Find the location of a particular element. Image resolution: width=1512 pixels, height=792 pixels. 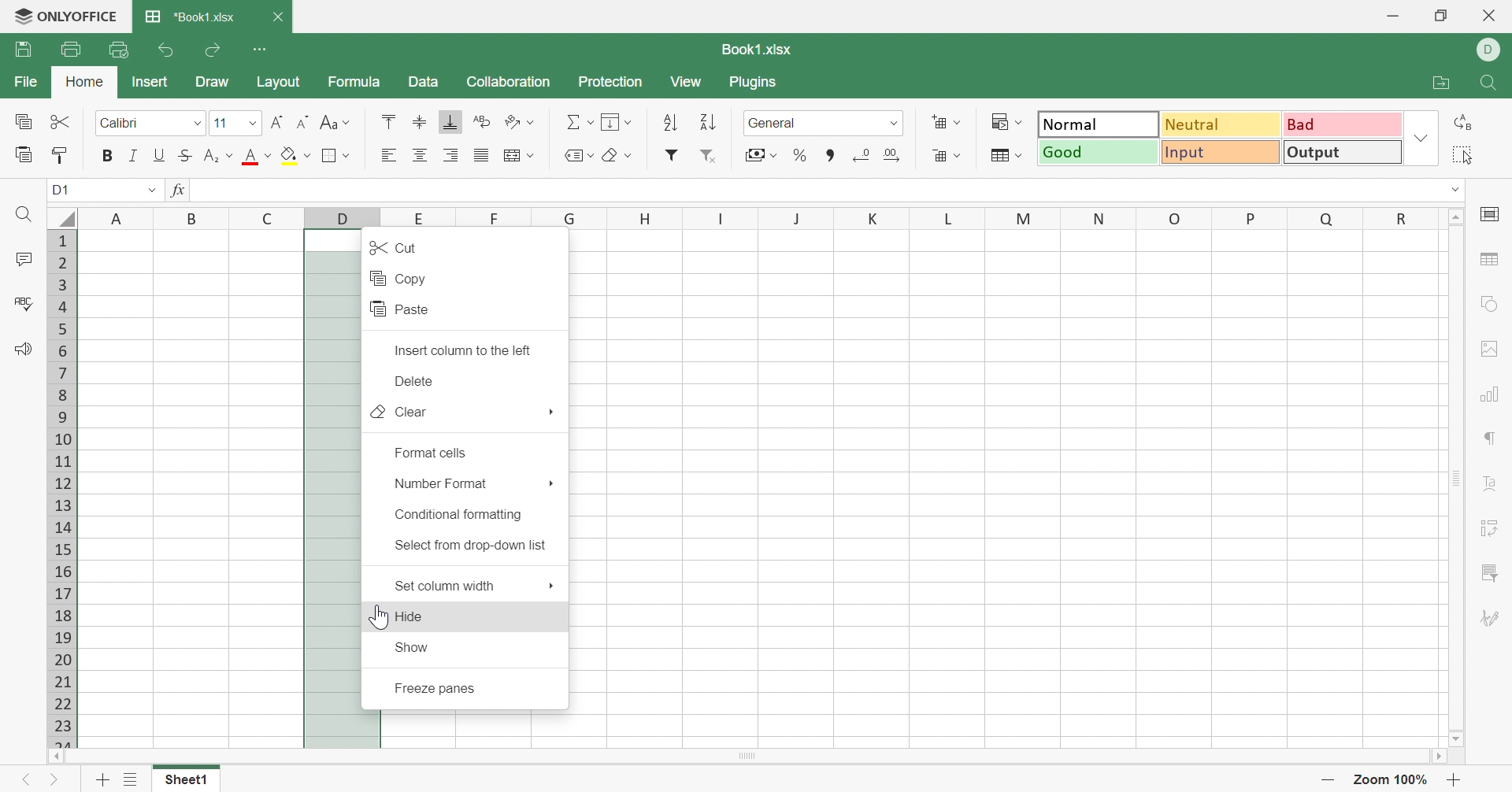

Paste is located at coordinates (20, 156).